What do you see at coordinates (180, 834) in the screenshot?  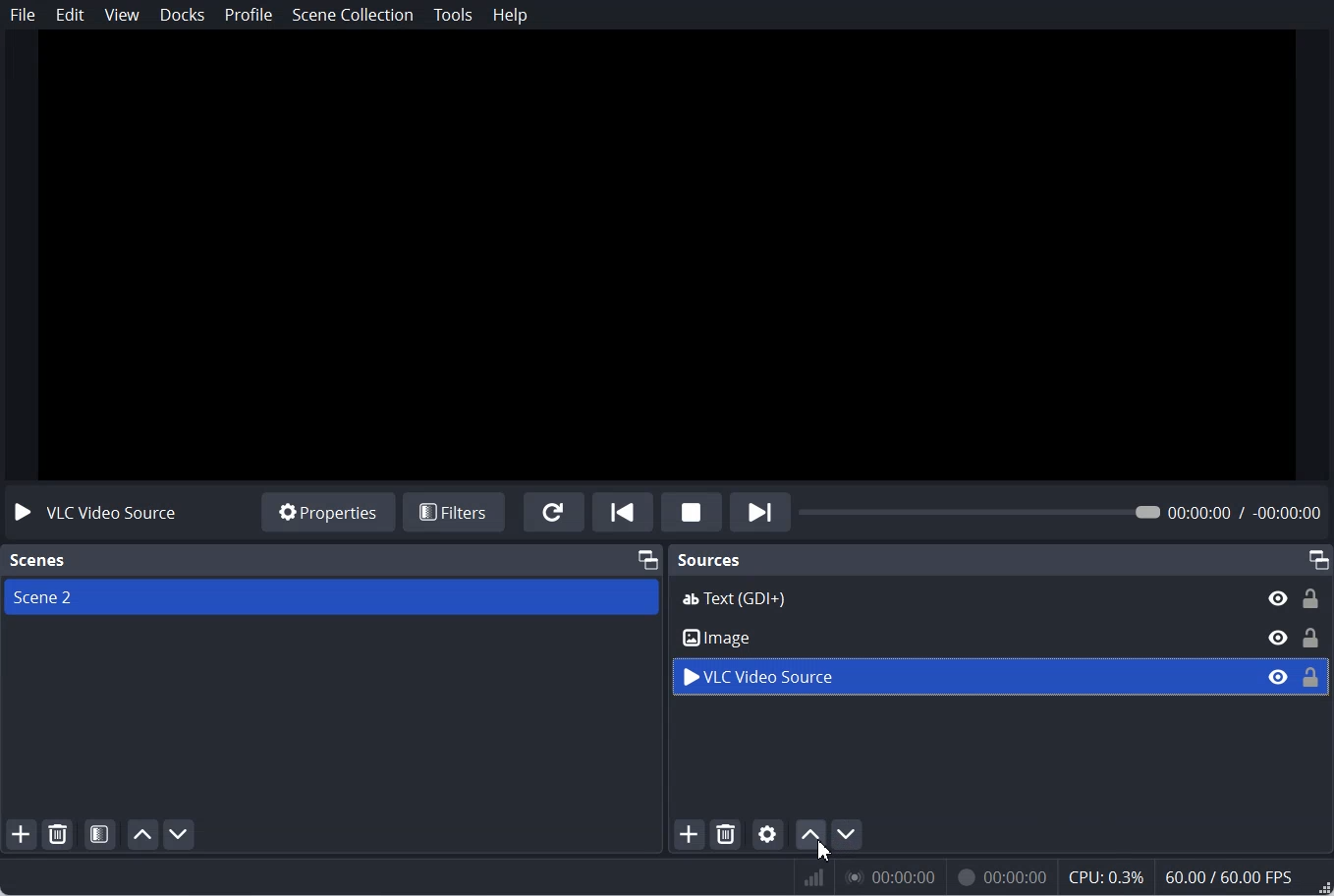 I see `Move scene down` at bounding box center [180, 834].